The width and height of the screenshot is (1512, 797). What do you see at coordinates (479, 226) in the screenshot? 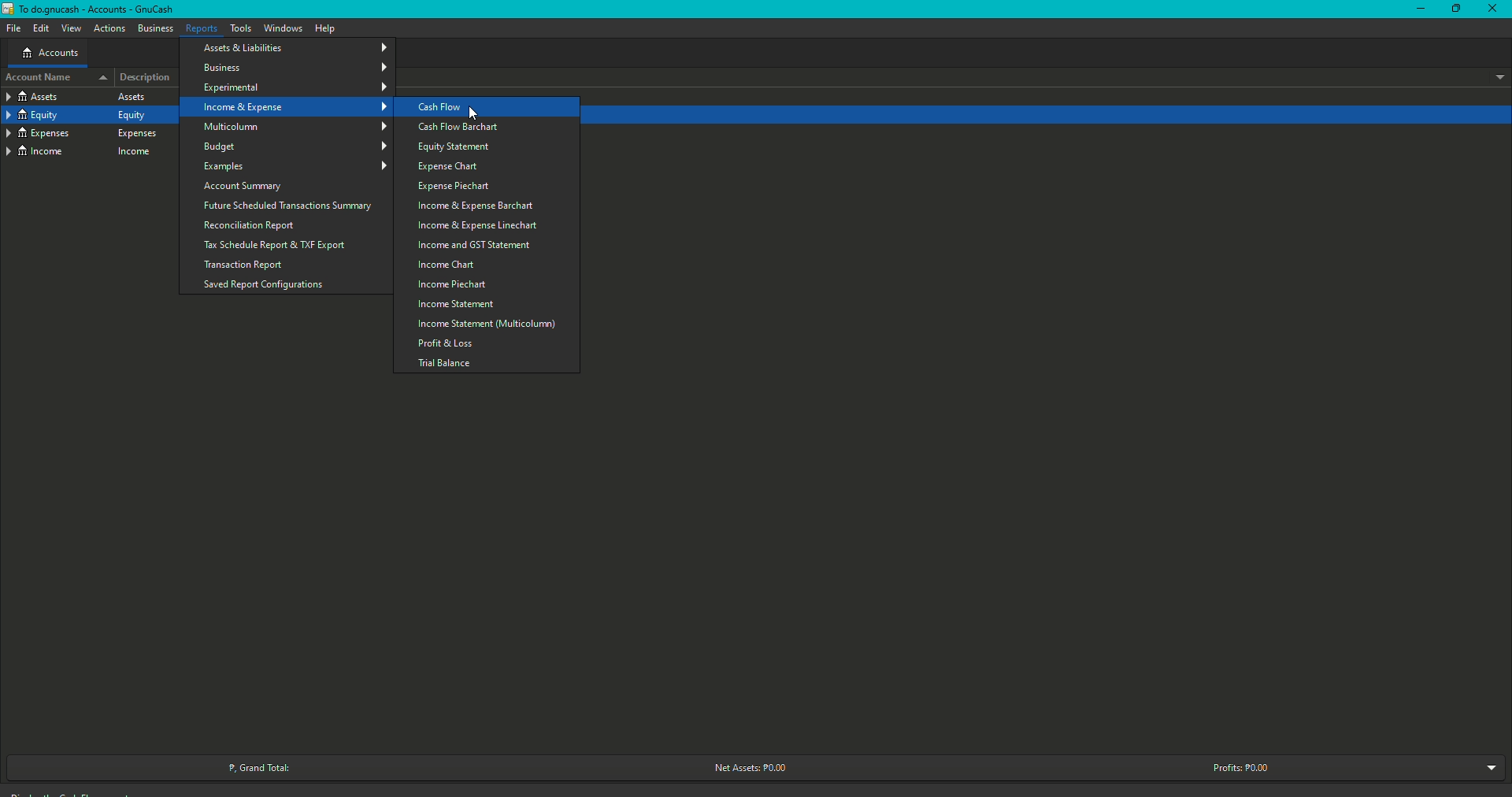
I see `Income and Expense Linechart` at bounding box center [479, 226].